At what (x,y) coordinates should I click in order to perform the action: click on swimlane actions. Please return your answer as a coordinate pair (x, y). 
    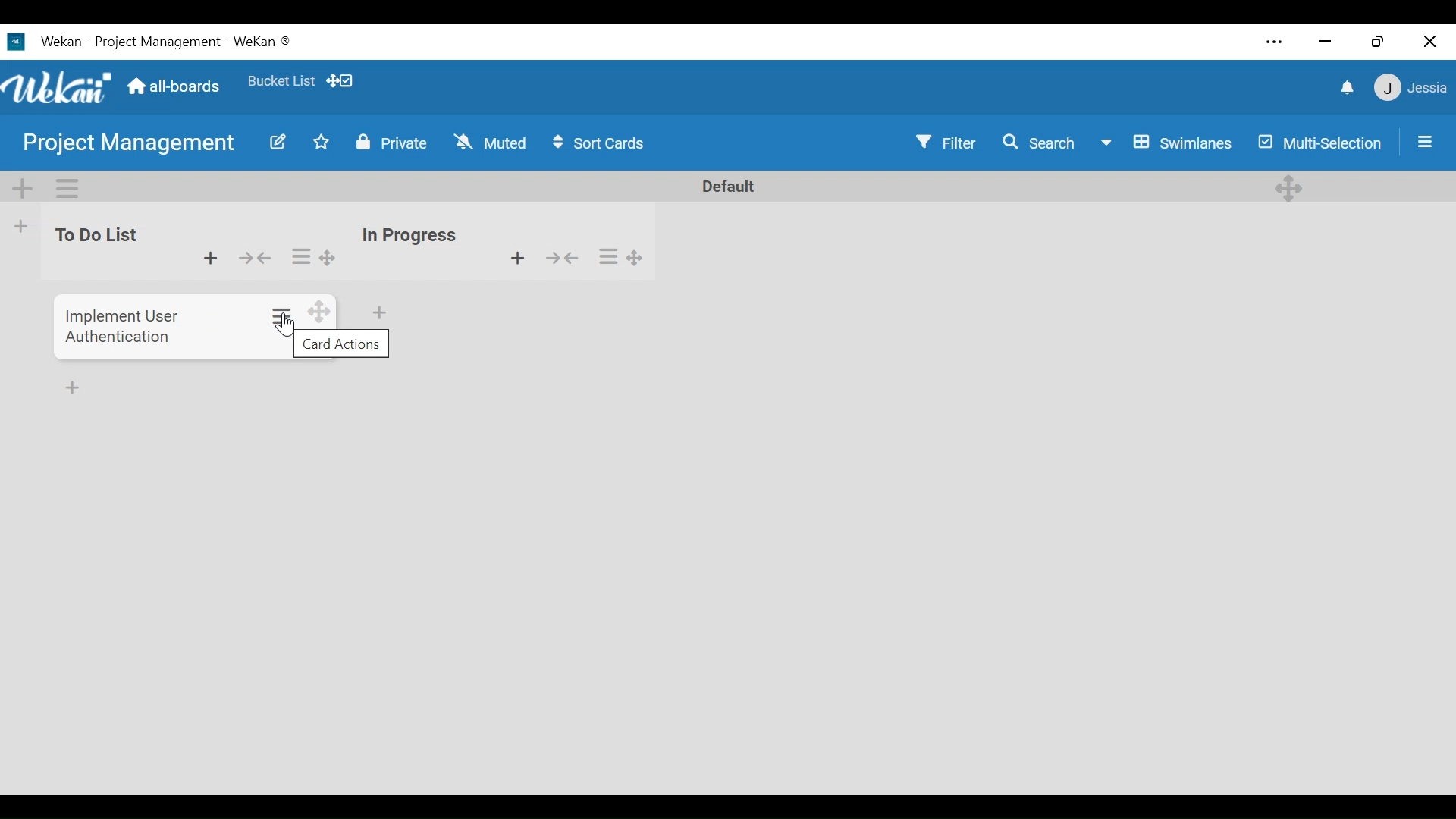
    Looking at the image, I should click on (68, 187).